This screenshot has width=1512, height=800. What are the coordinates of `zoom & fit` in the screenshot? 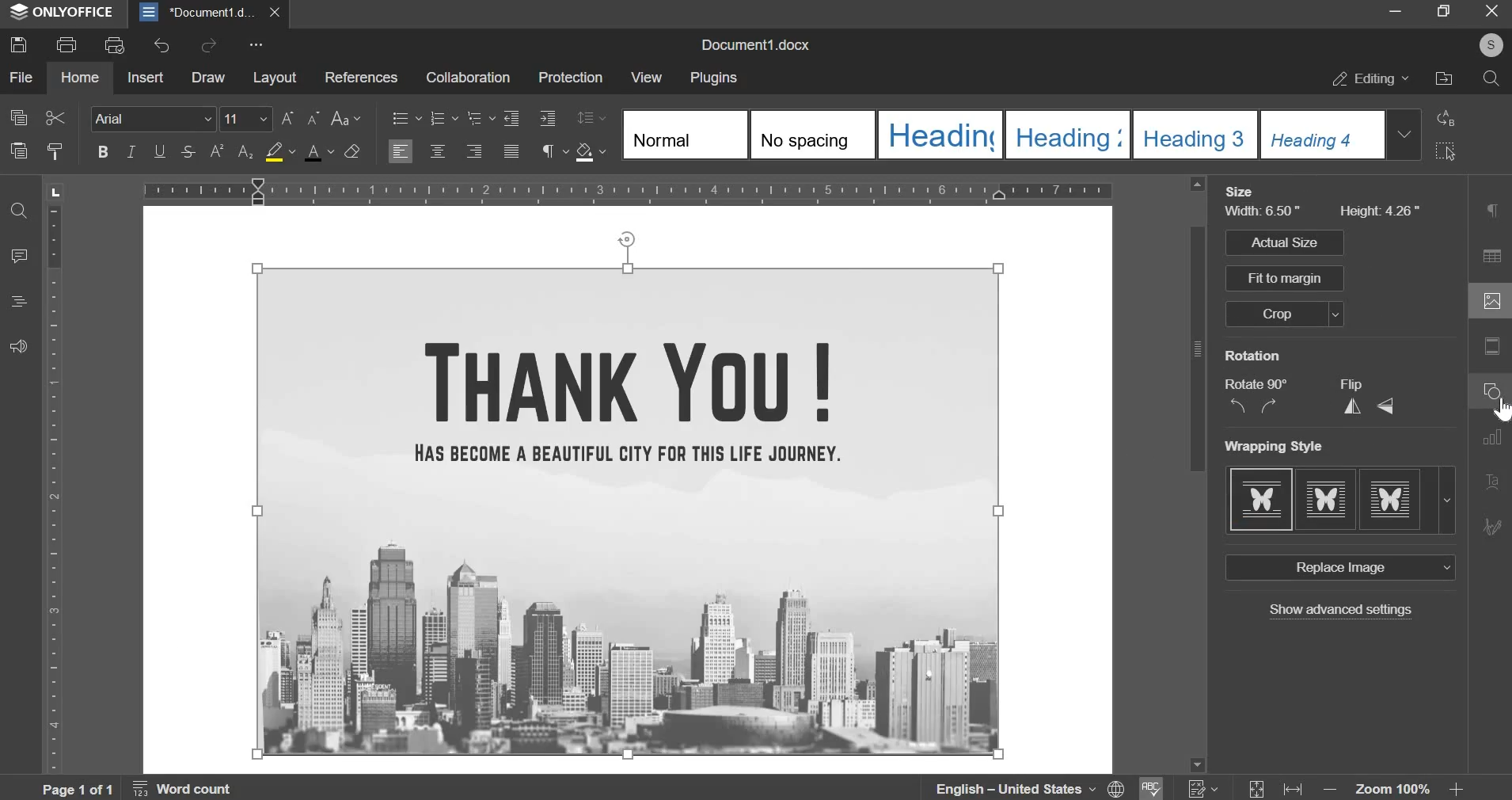 It's located at (1354, 786).